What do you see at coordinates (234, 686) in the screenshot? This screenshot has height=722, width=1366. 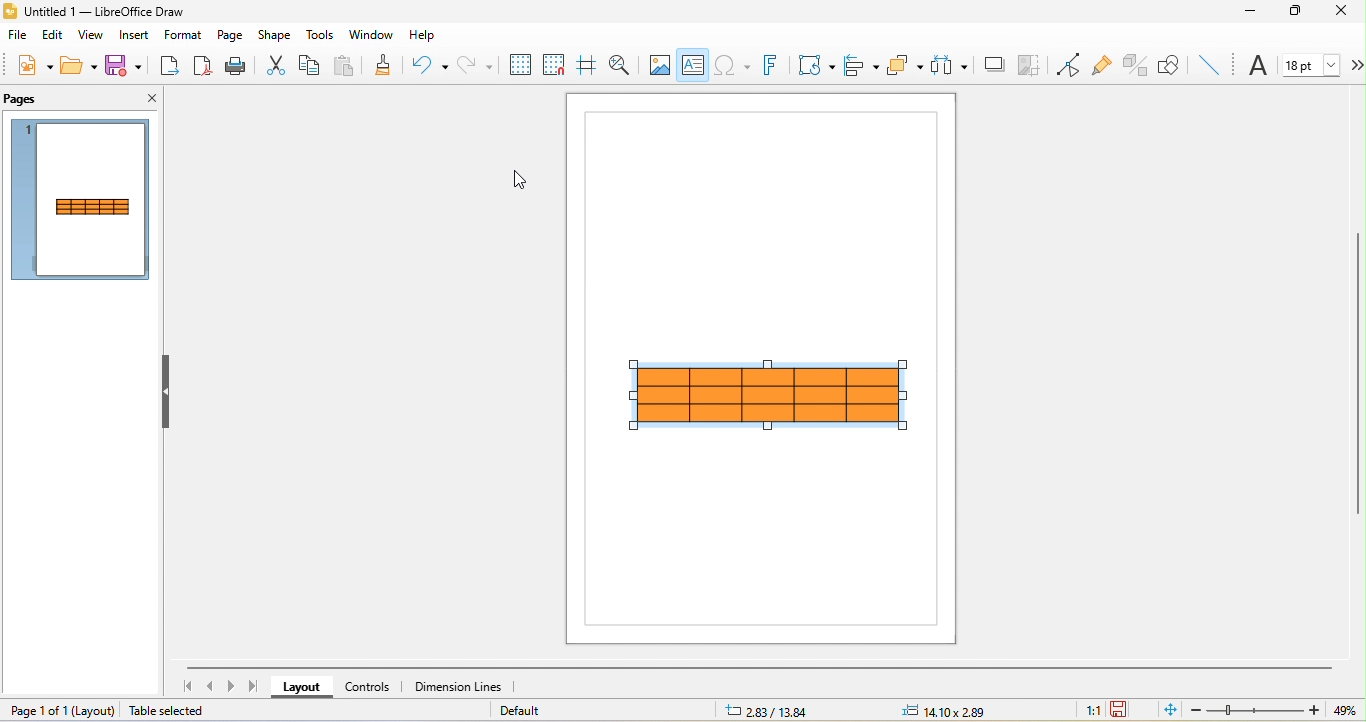 I see `next page` at bounding box center [234, 686].